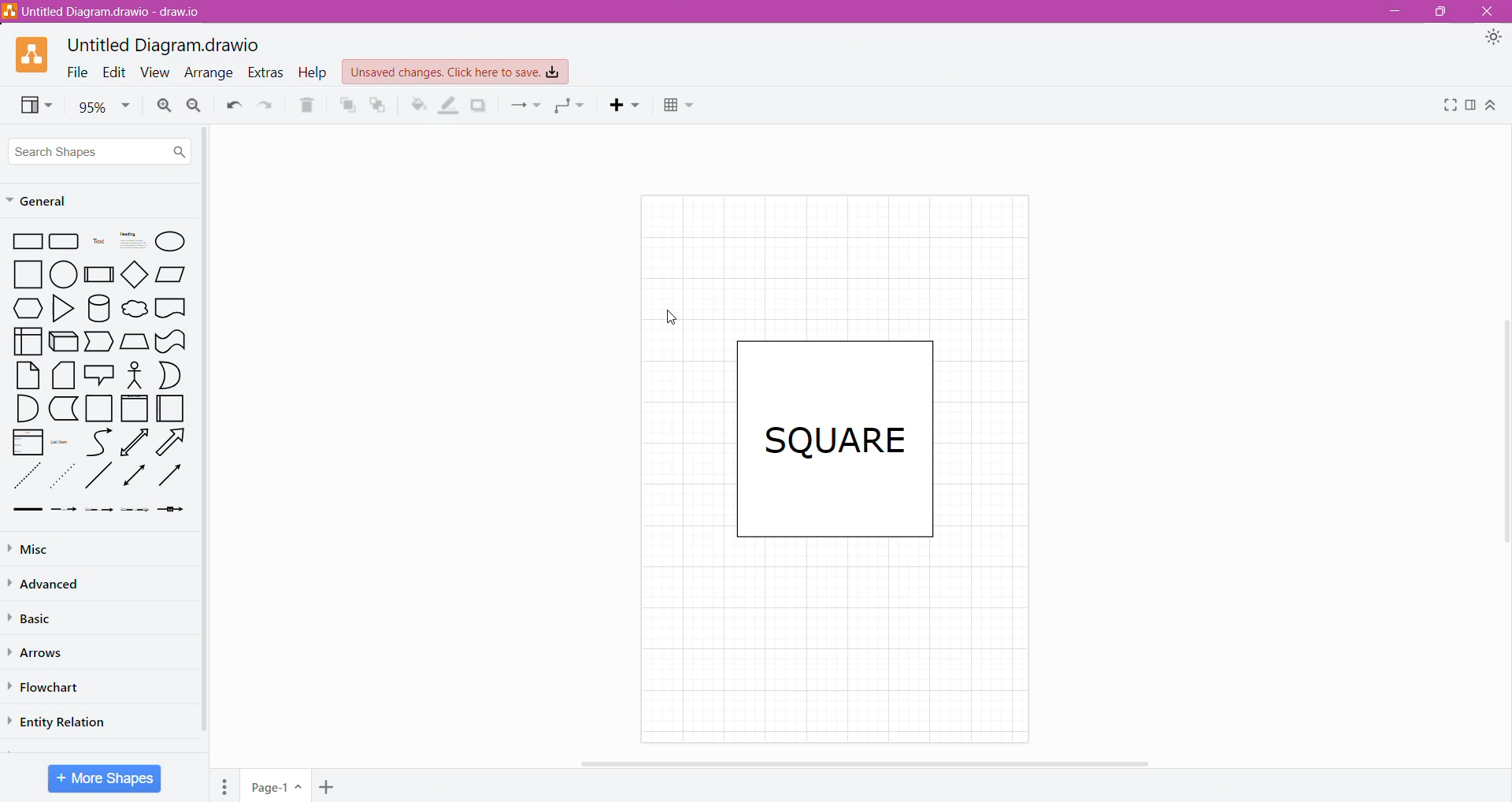 The image size is (1512, 802). Describe the element at coordinates (447, 106) in the screenshot. I see `Line Color` at that location.